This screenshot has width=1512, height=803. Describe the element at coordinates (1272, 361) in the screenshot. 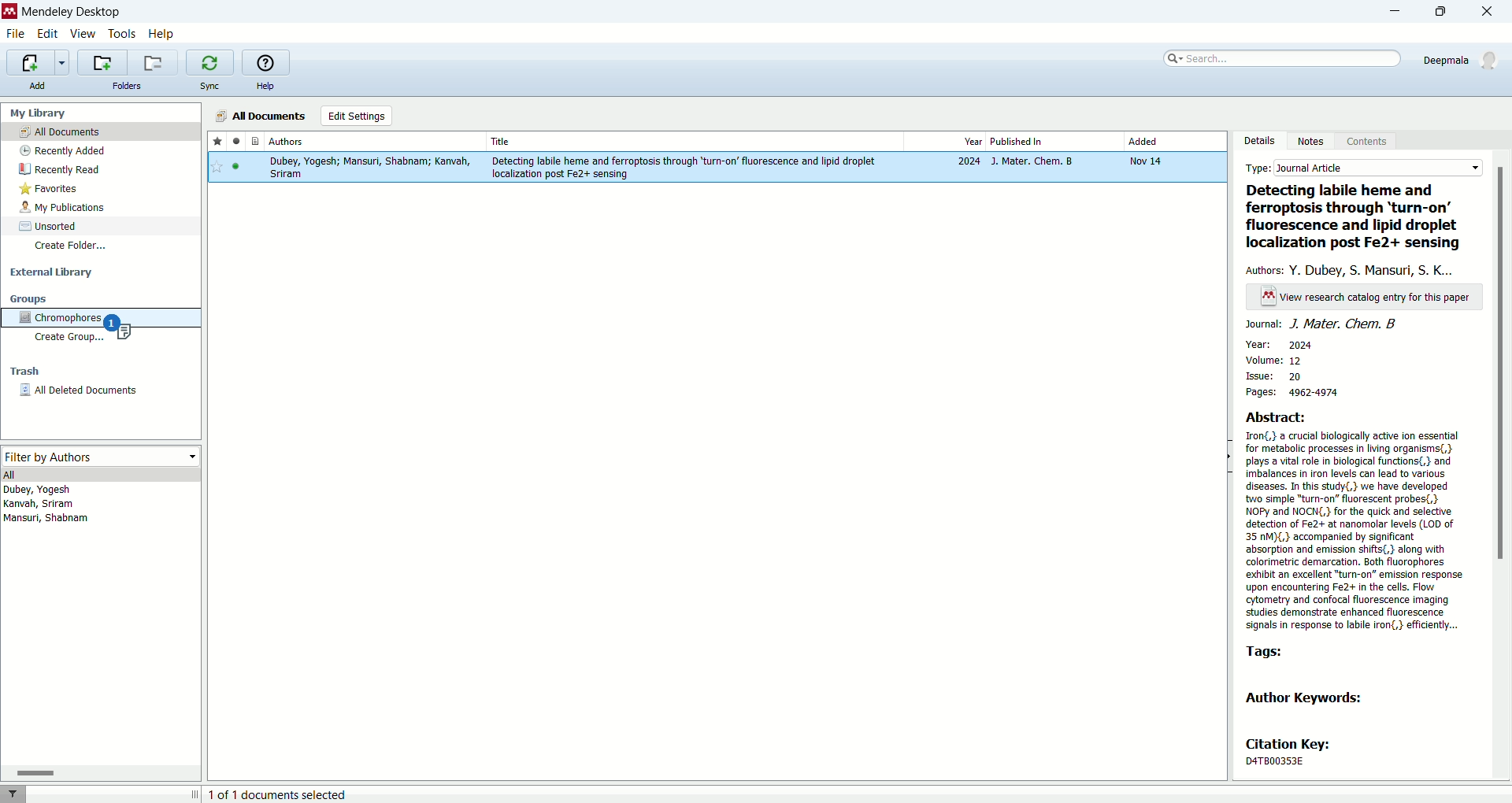

I see `volume: 12` at that location.